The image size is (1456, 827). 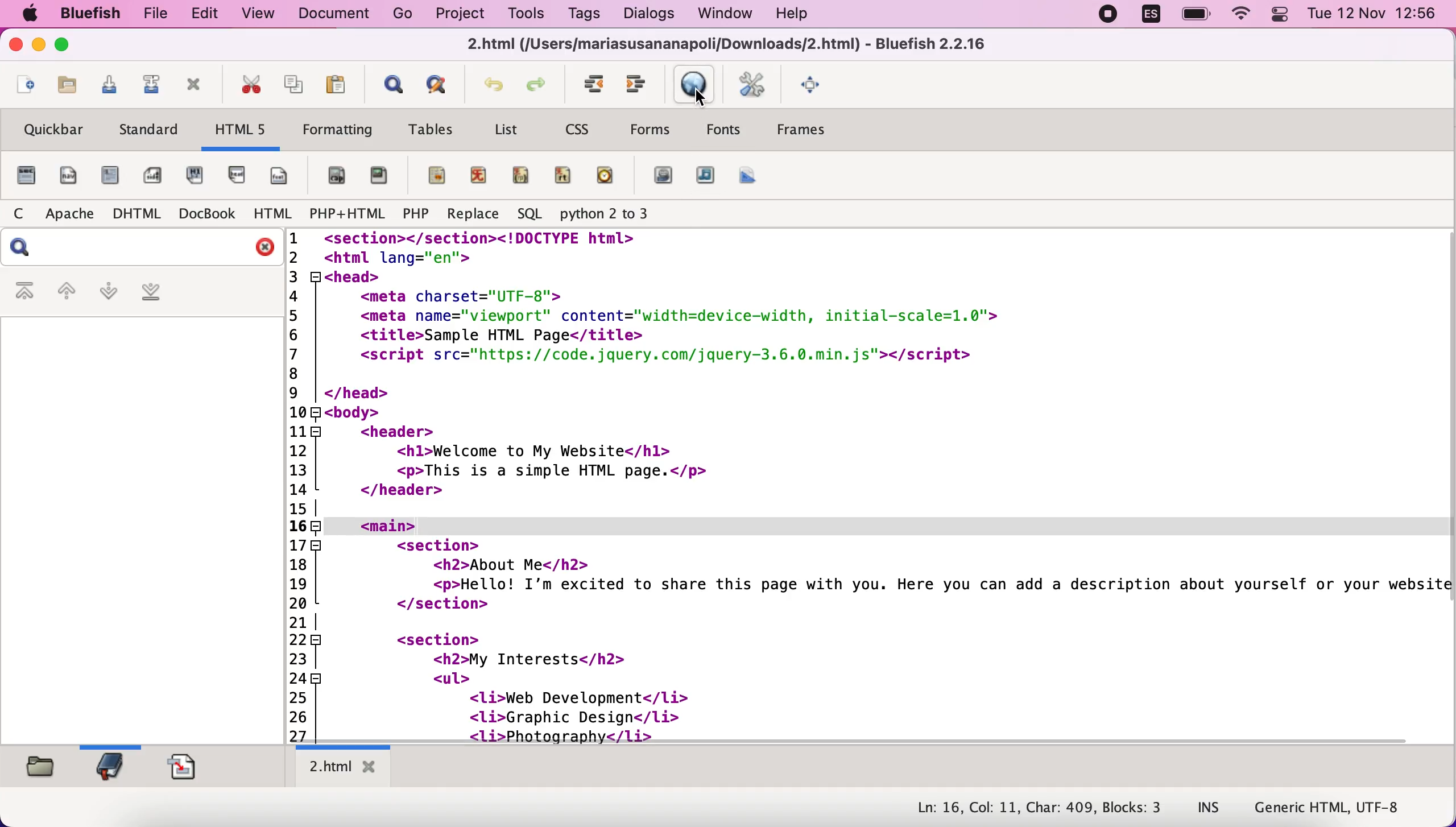 What do you see at coordinates (25, 85) in the screenshot?
I see `open` at bounding box center [25, 85].